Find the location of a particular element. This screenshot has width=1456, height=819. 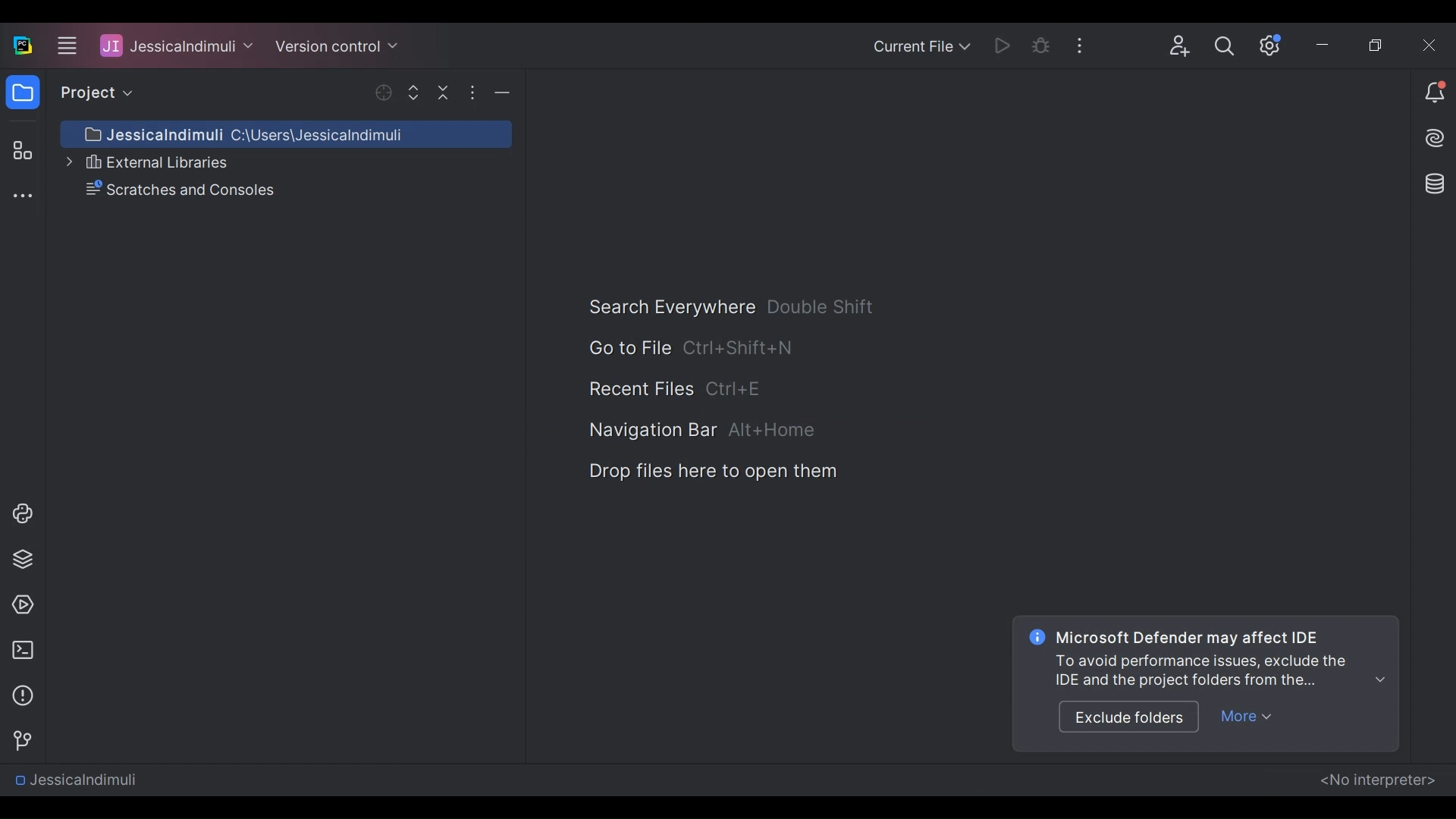

Go to File is located at coordinates (693, 347).